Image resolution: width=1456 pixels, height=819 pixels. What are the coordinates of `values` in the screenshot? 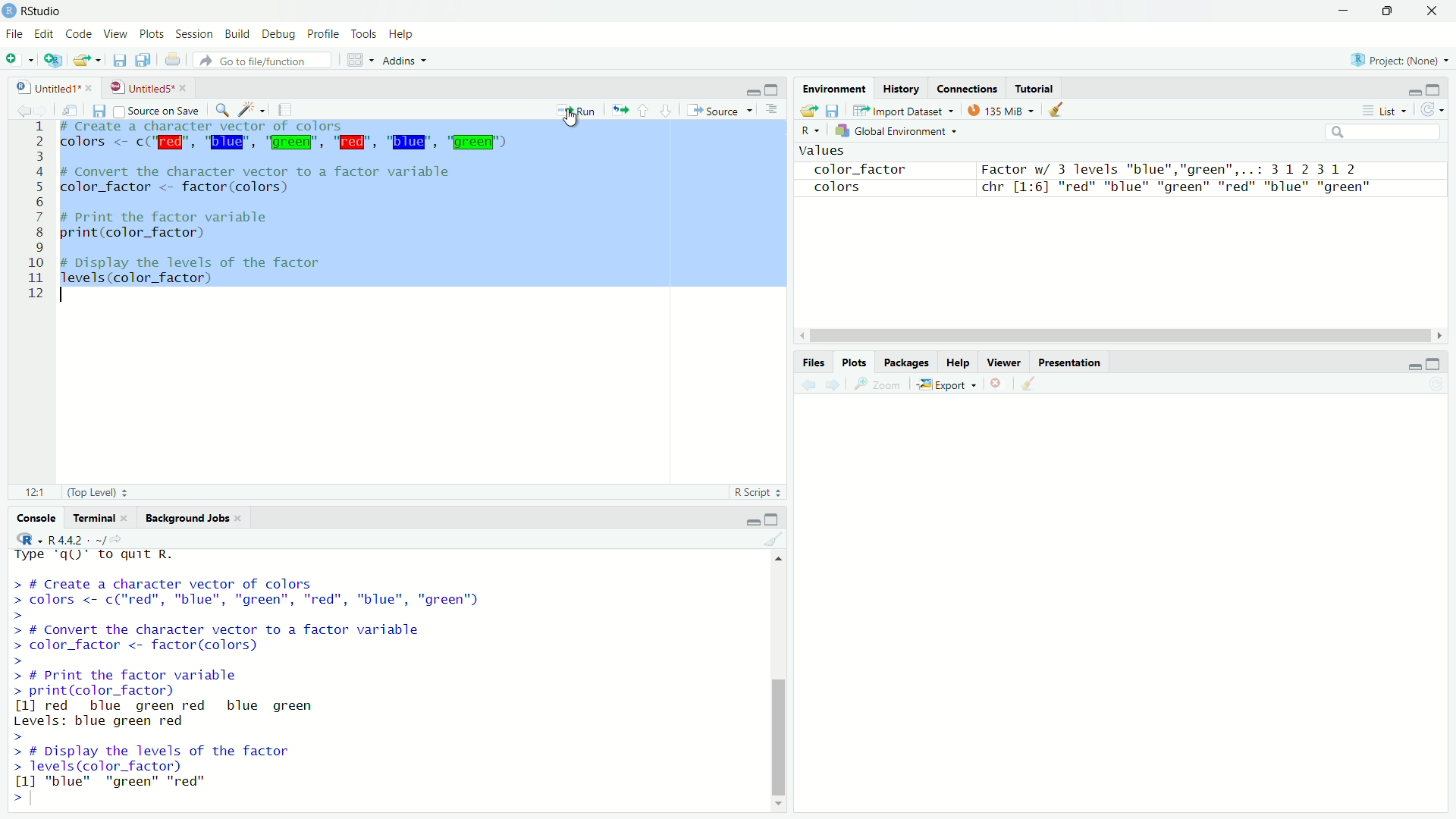 It's located at (830, 149).